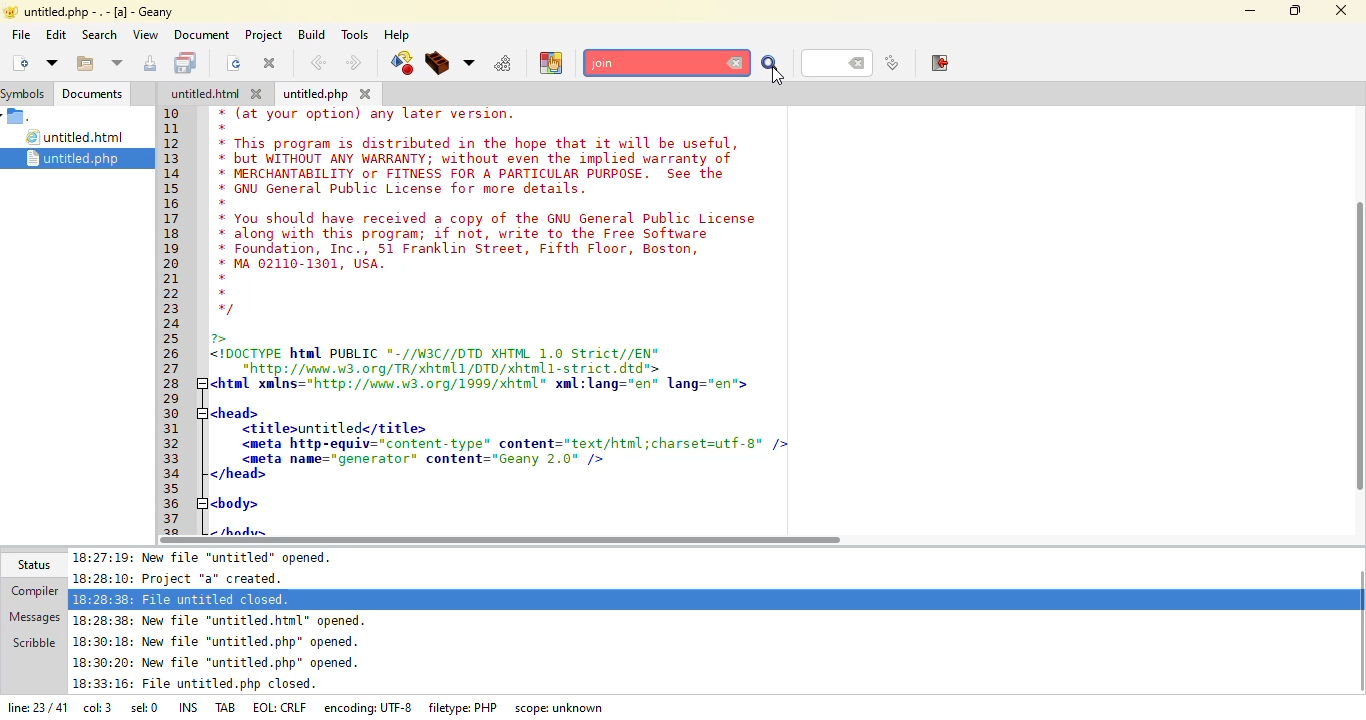 The height and width of the screenshot is (720, 1366). Describe the element at coordinates (260, 94) in the screenshot. I see `close` at that location.